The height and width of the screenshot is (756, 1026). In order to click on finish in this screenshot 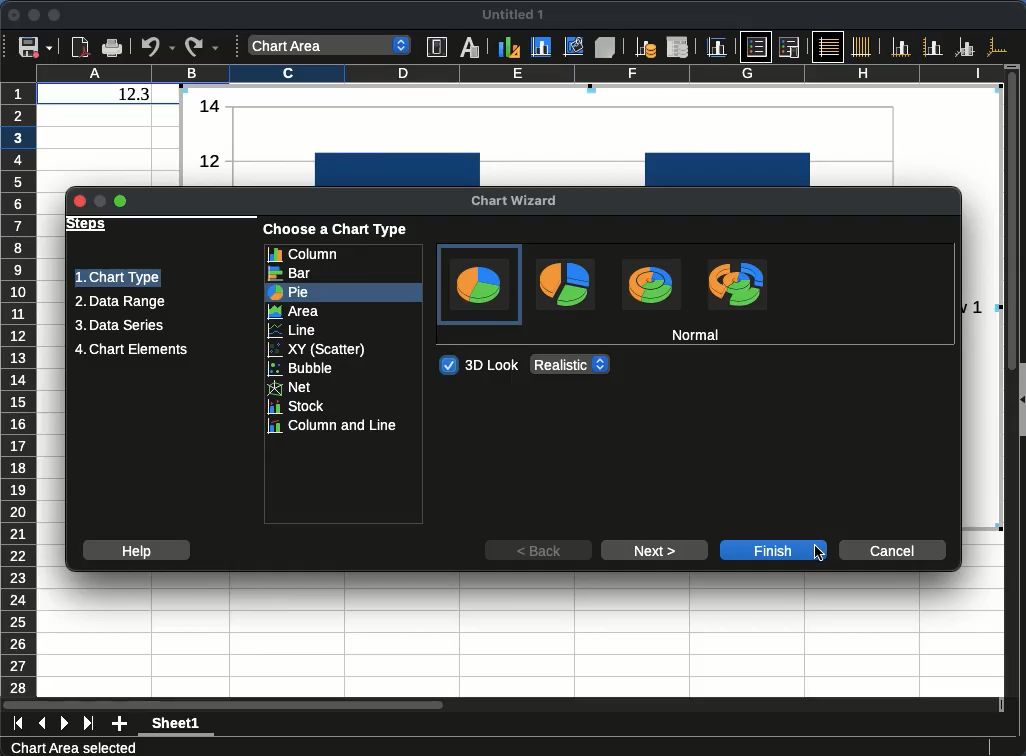, I will do `click(773, 550)`.